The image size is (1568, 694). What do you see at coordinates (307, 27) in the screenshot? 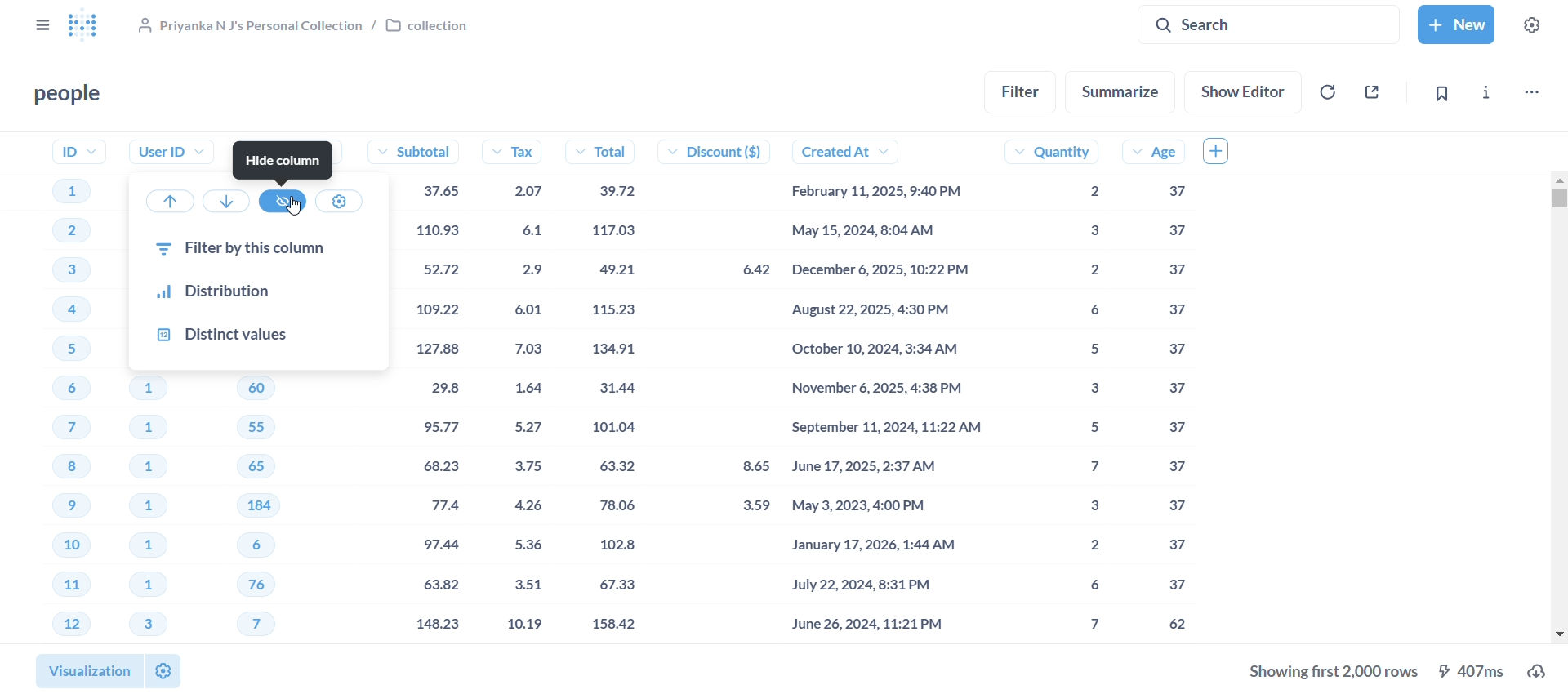
I see `collection` at bounding box center [307, 27].